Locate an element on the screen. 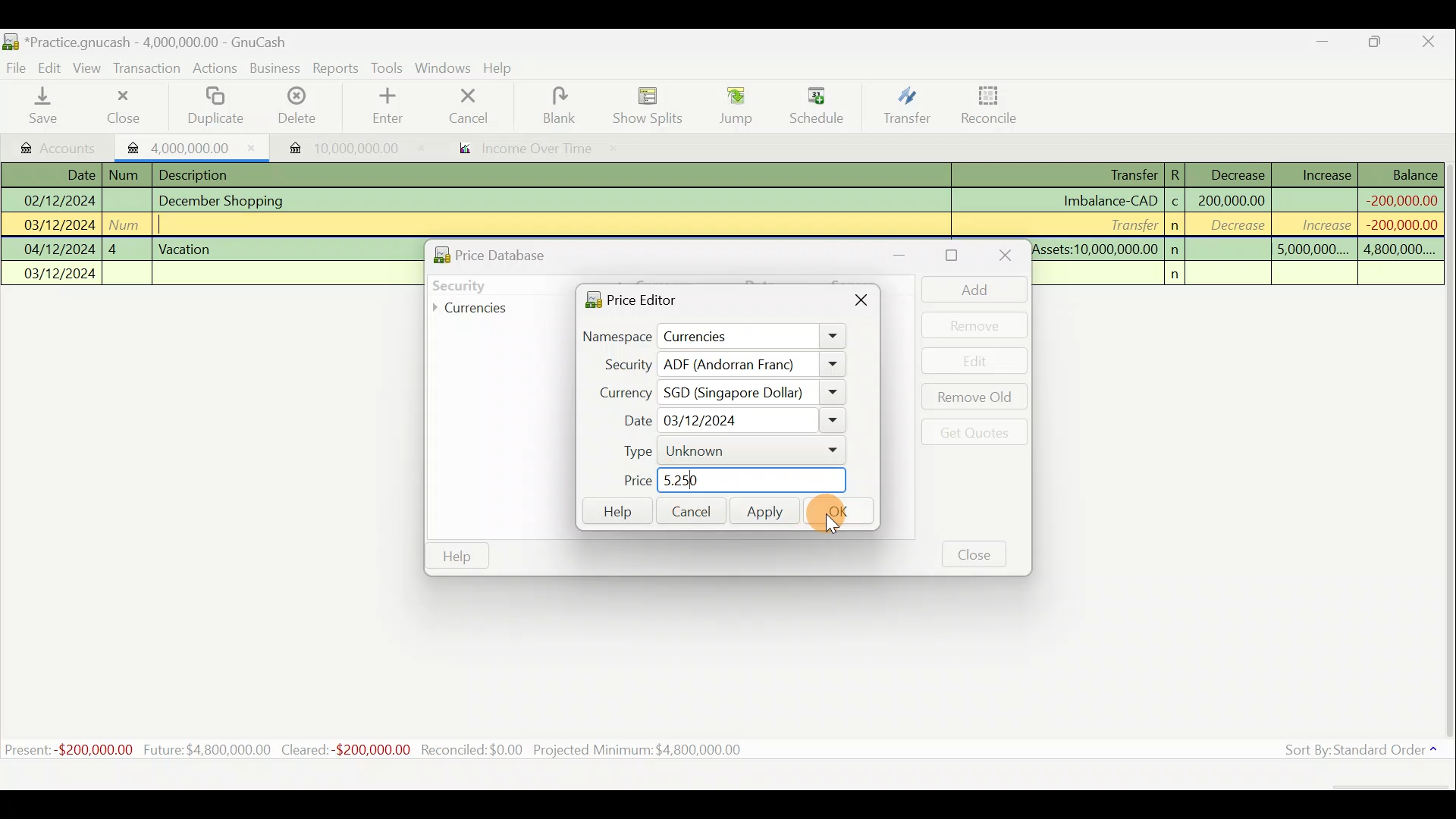 This screenshot has height=819, width=1456. increase is located at coordinates (1317, 224).